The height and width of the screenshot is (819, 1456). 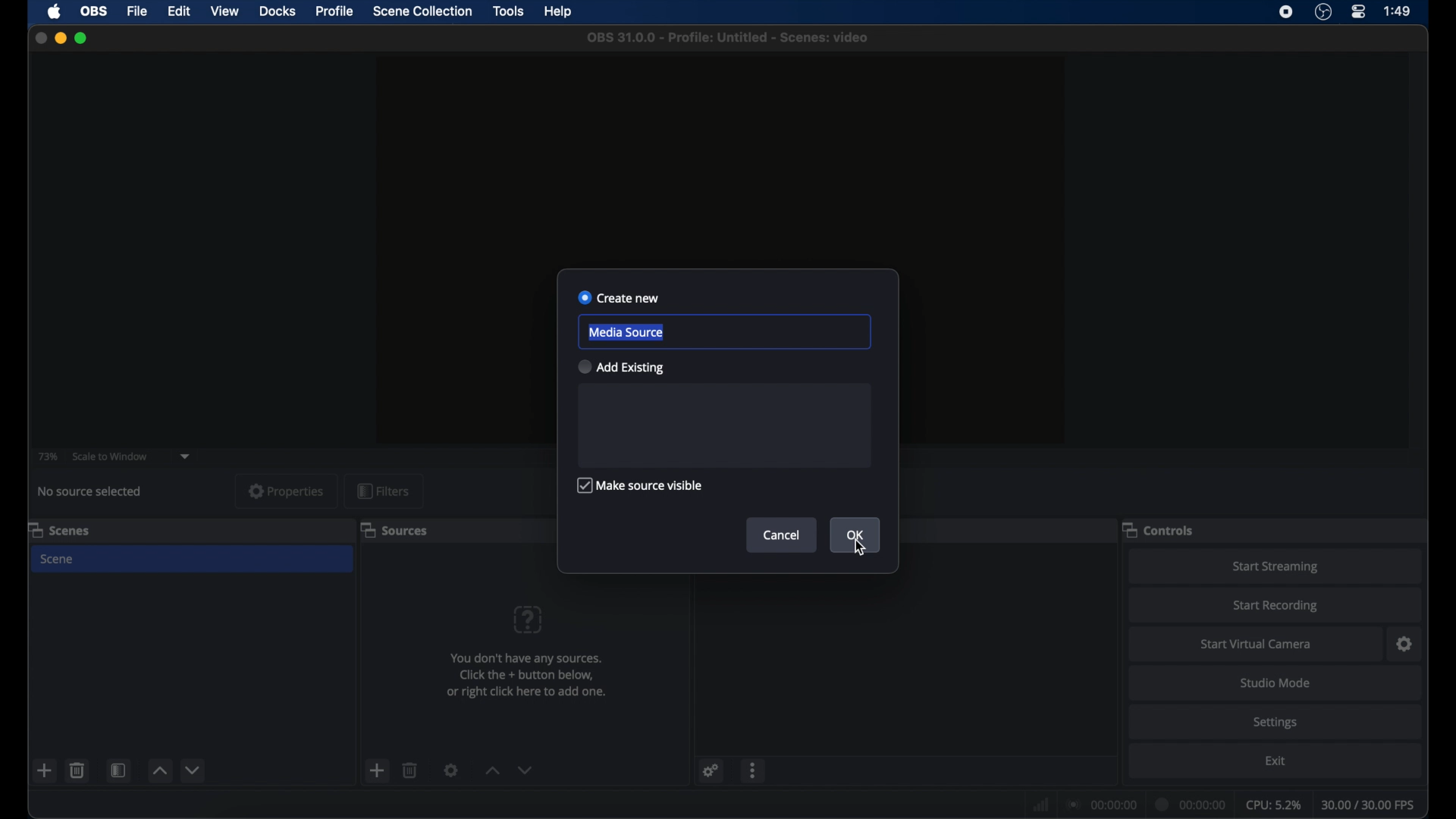 What do you see at coordinates (160, 770) in the screenshot?
I see `increment` at bounding box center [160, 770].